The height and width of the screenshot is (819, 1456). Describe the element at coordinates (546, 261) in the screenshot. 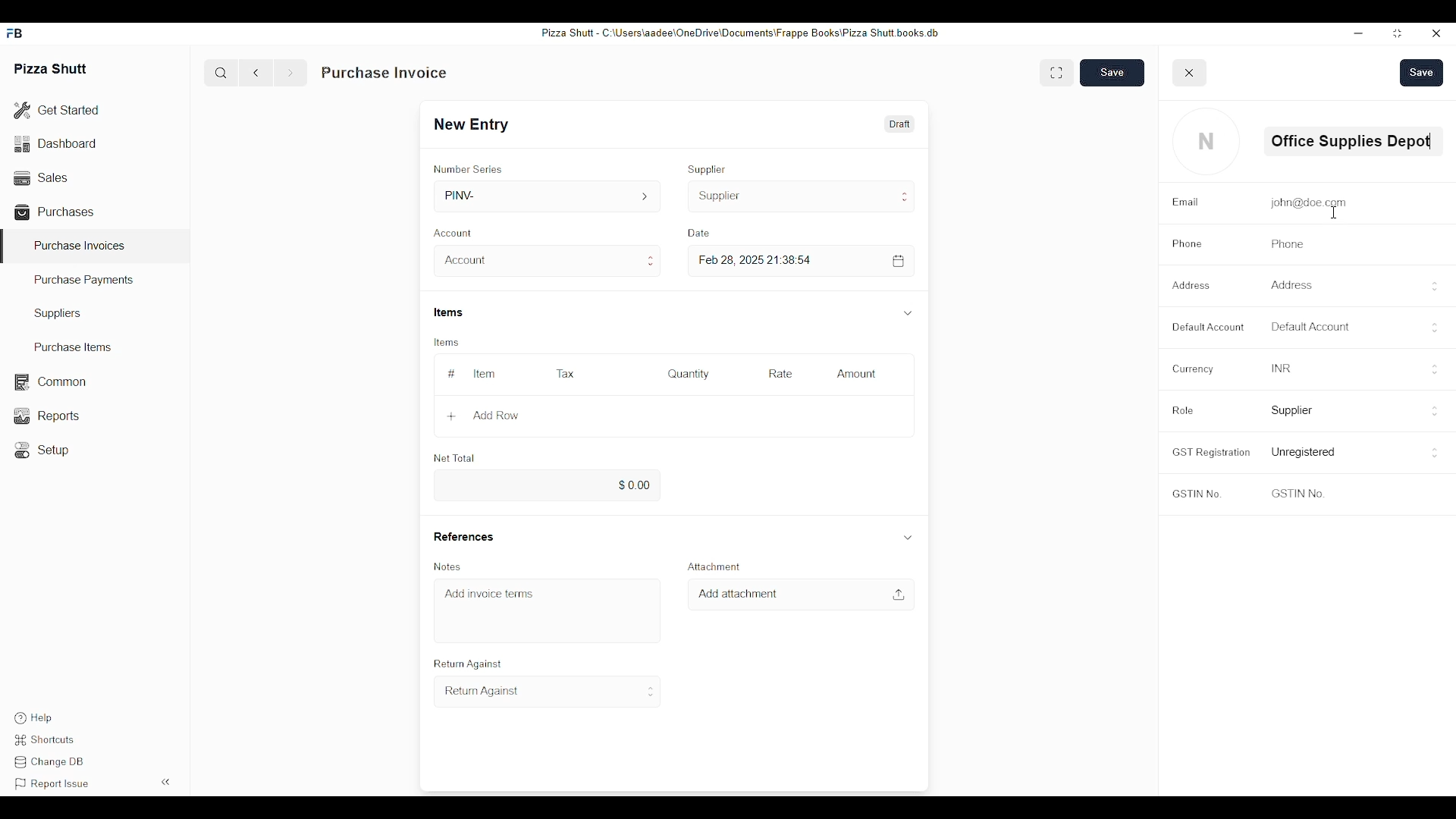

I see `Account` at that location.